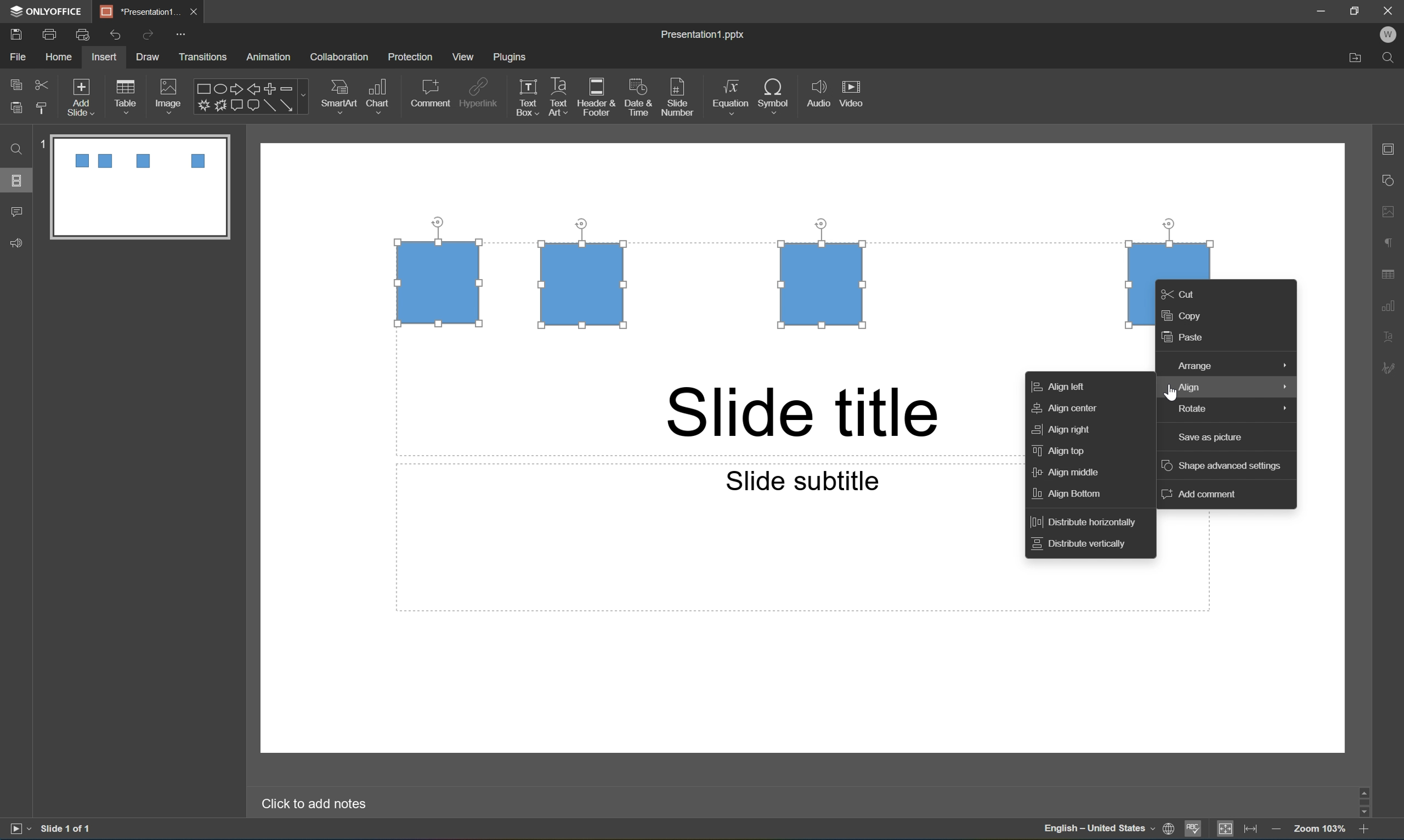 Image resolution: width=1404 pixels, height=840 pixels. What do you see at coordinates (1185, 292) in the screenshot?
I see `cut` at bounding box center [1185, 292].